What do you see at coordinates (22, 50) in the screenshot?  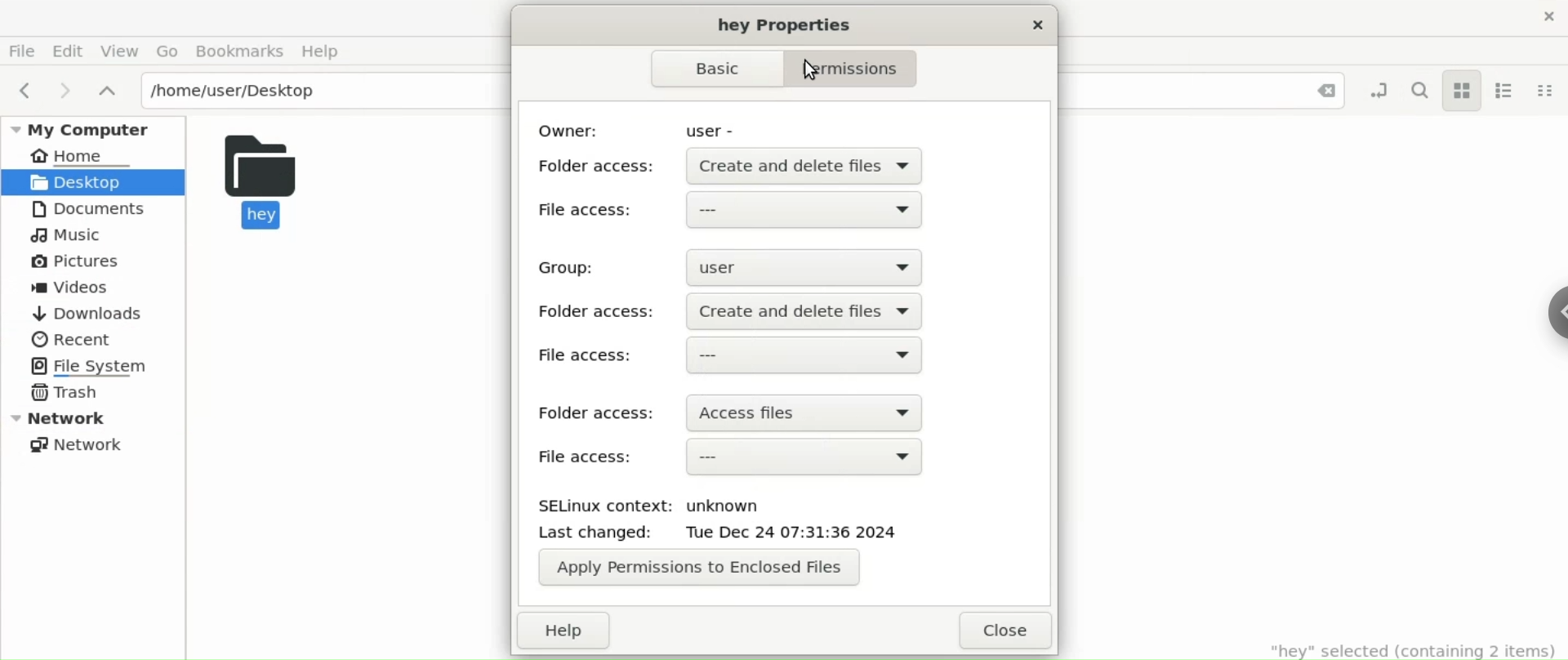 I see `File` at bounding box center [22, 50].